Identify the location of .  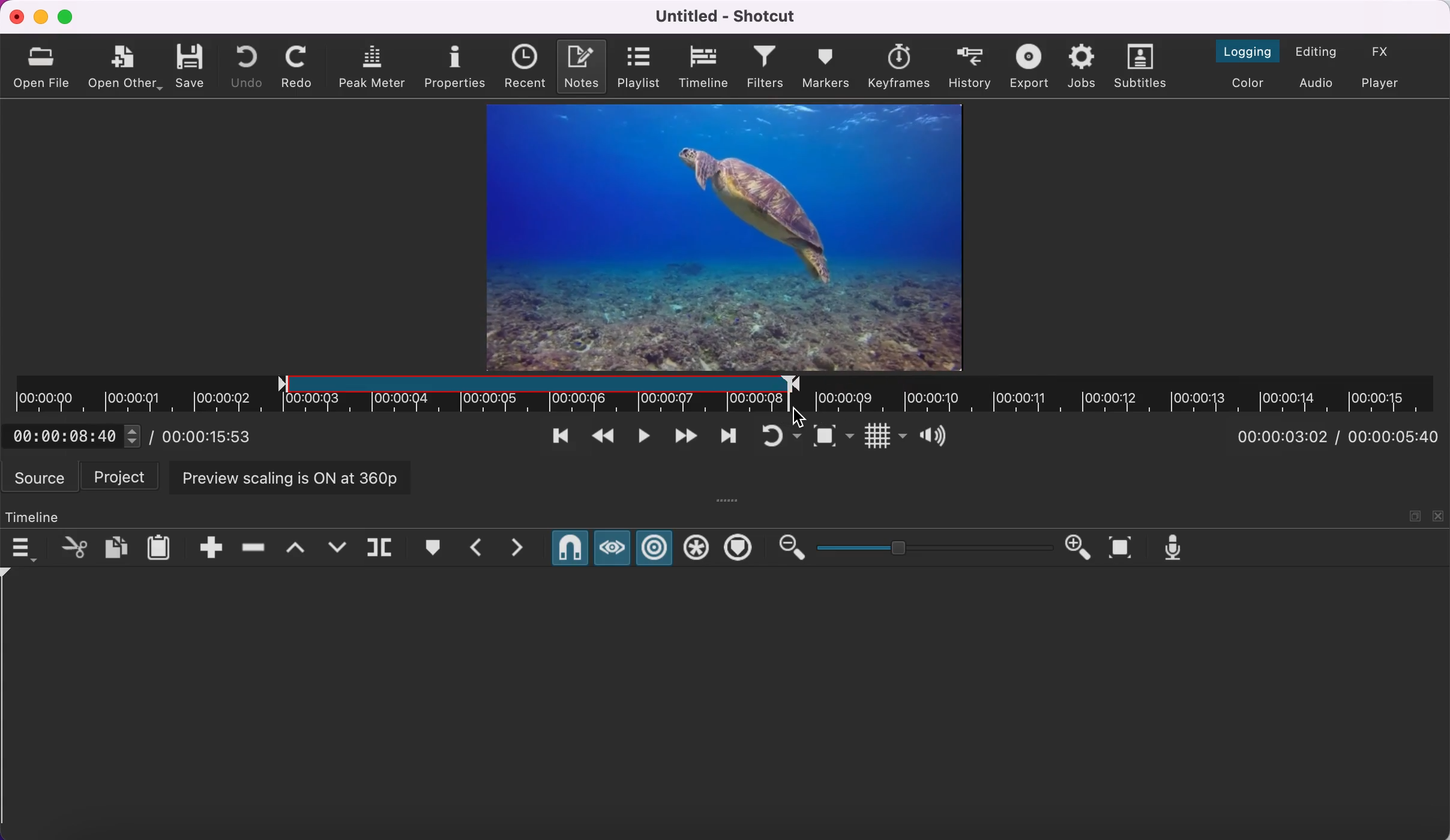
(775, 436).